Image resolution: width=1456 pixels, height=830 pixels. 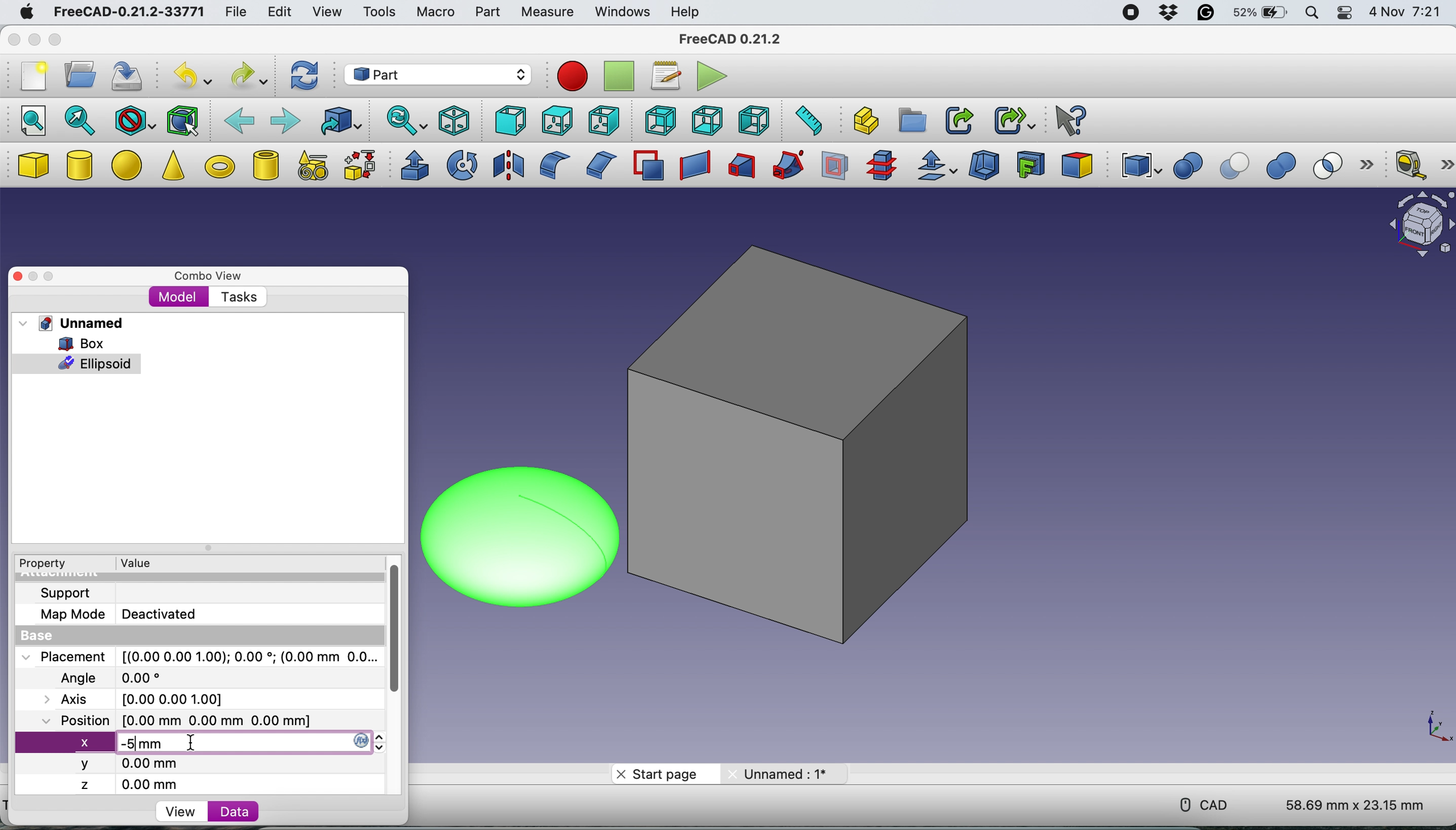 I want to click on draw style, so click(x=134, y=121).